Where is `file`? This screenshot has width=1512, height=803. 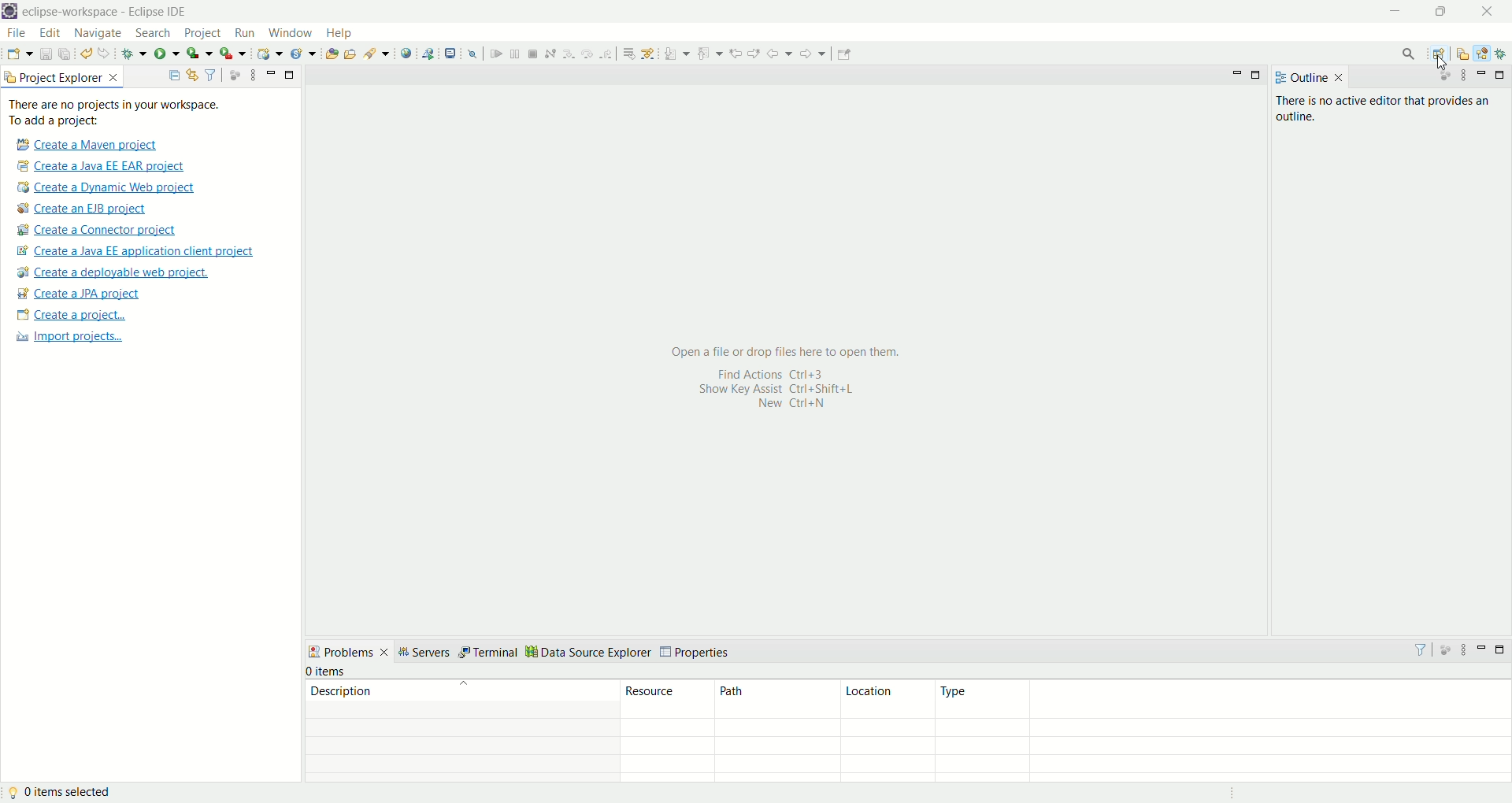
file is located at coordinates (17, 33).